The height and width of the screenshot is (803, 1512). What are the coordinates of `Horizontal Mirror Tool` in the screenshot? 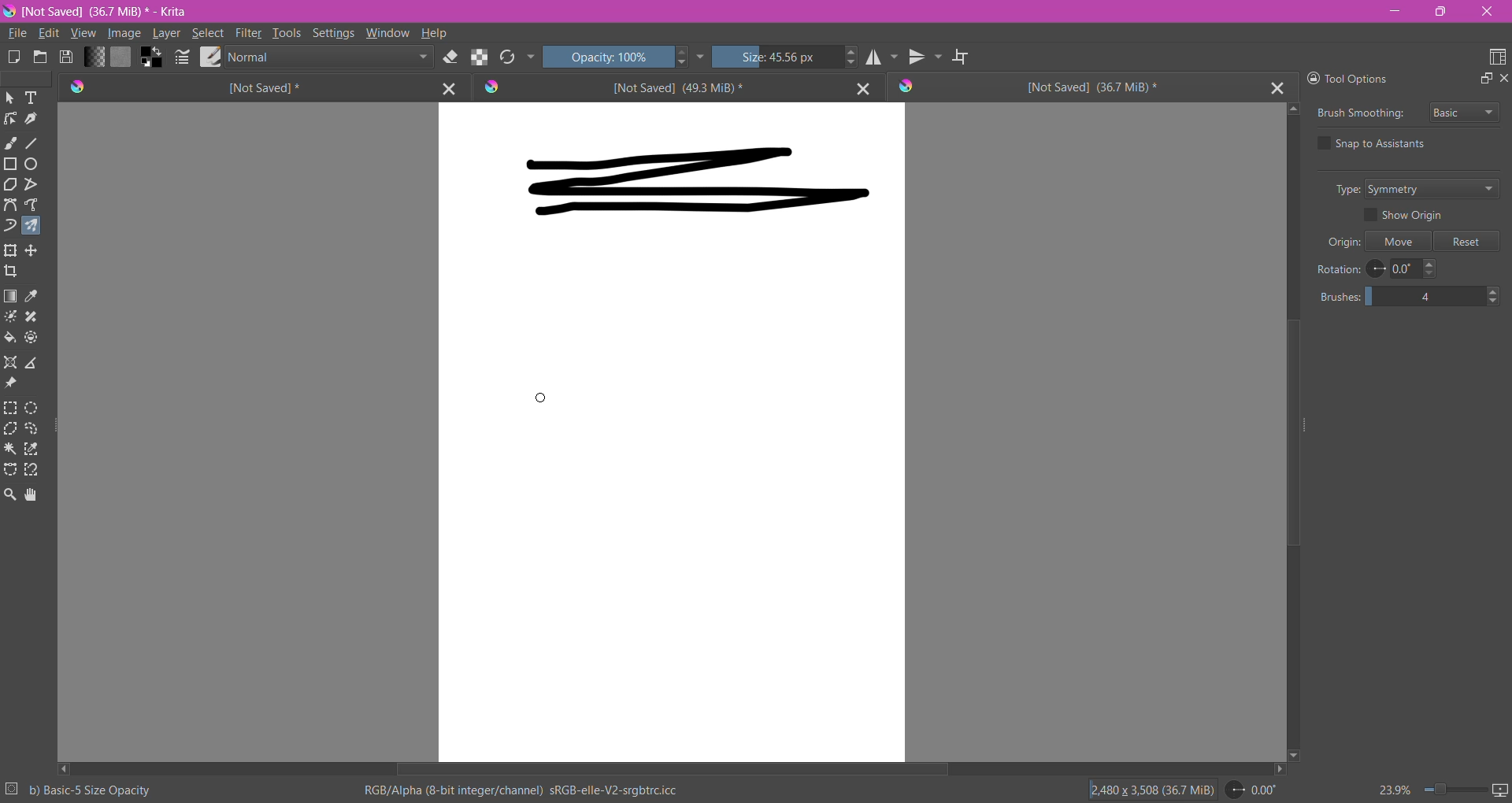 It's located at (881, 57).